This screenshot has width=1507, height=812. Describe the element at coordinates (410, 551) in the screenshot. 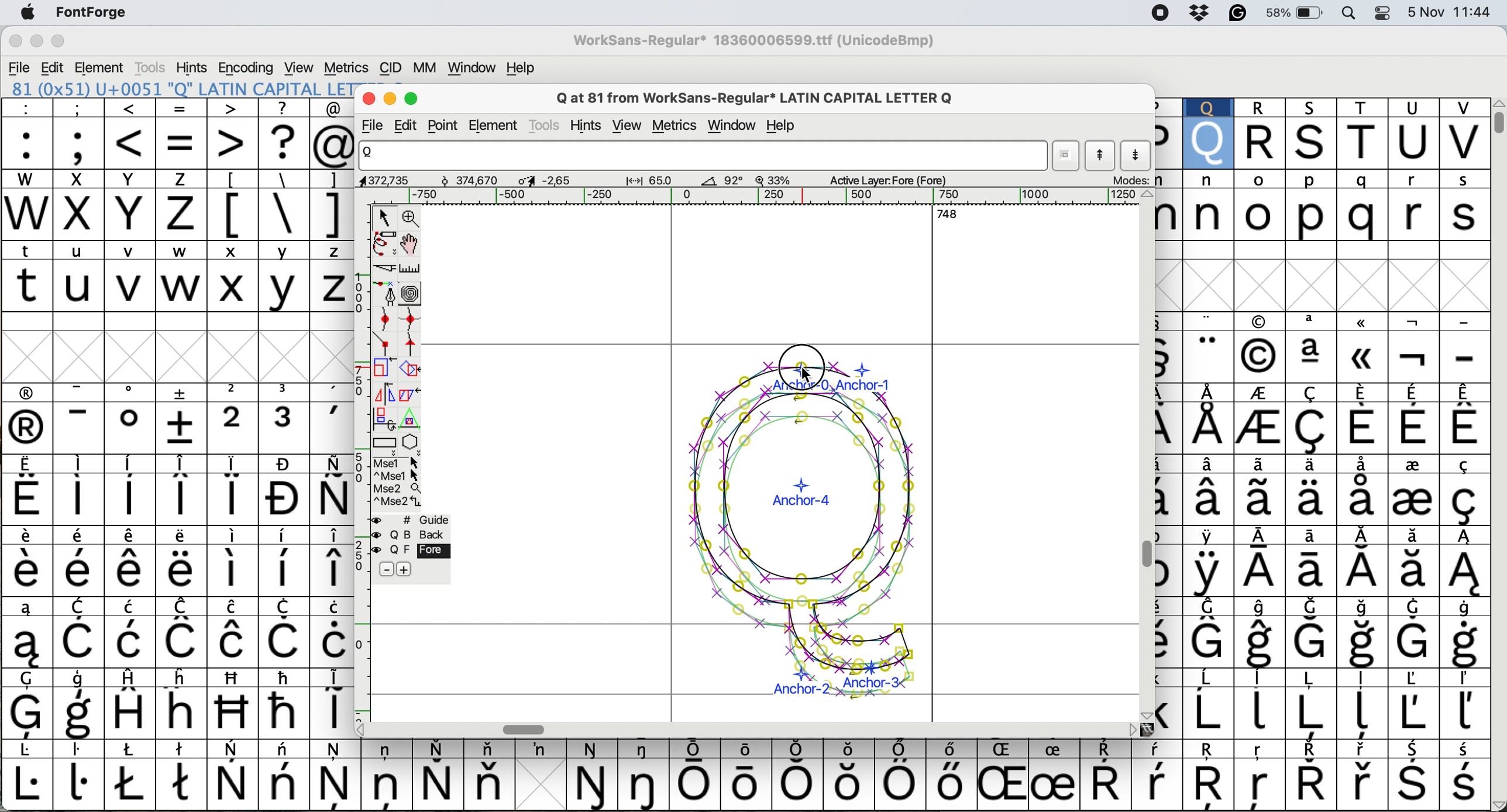

I see `fore` at that location.